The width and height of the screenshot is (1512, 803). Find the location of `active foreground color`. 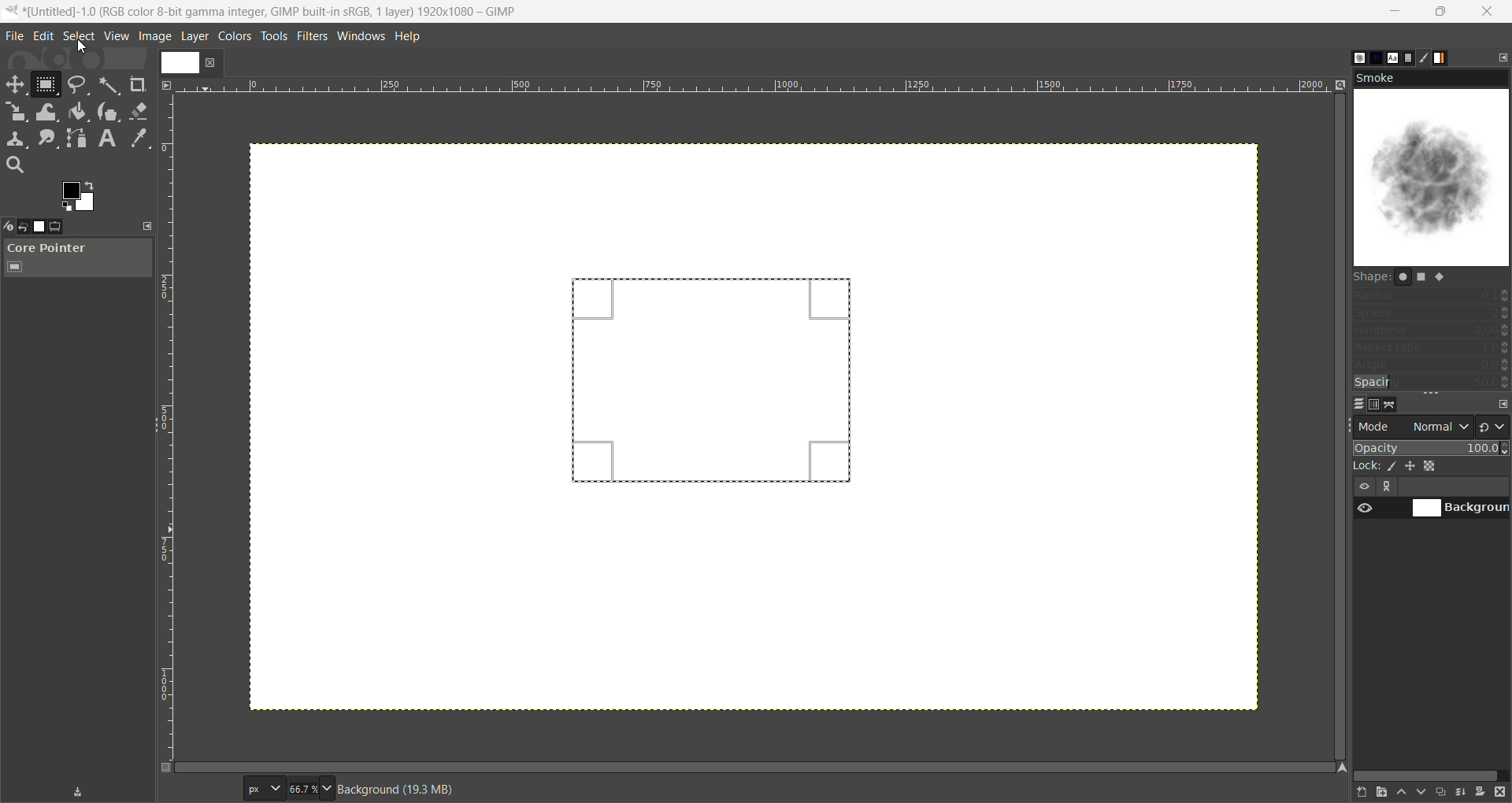

active foreground color is located at coordinates (78, 196).